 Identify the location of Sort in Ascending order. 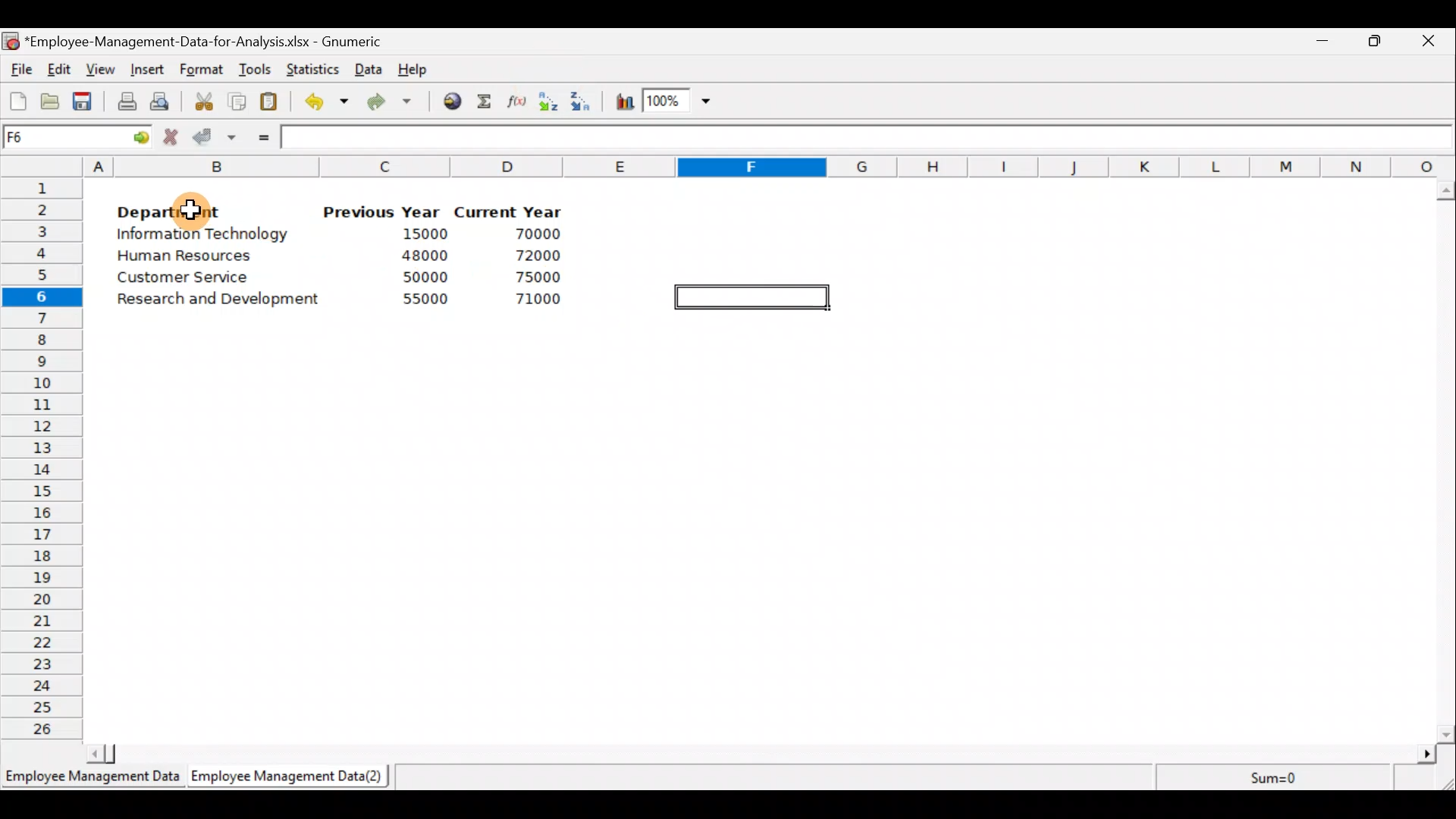
(548, 101).